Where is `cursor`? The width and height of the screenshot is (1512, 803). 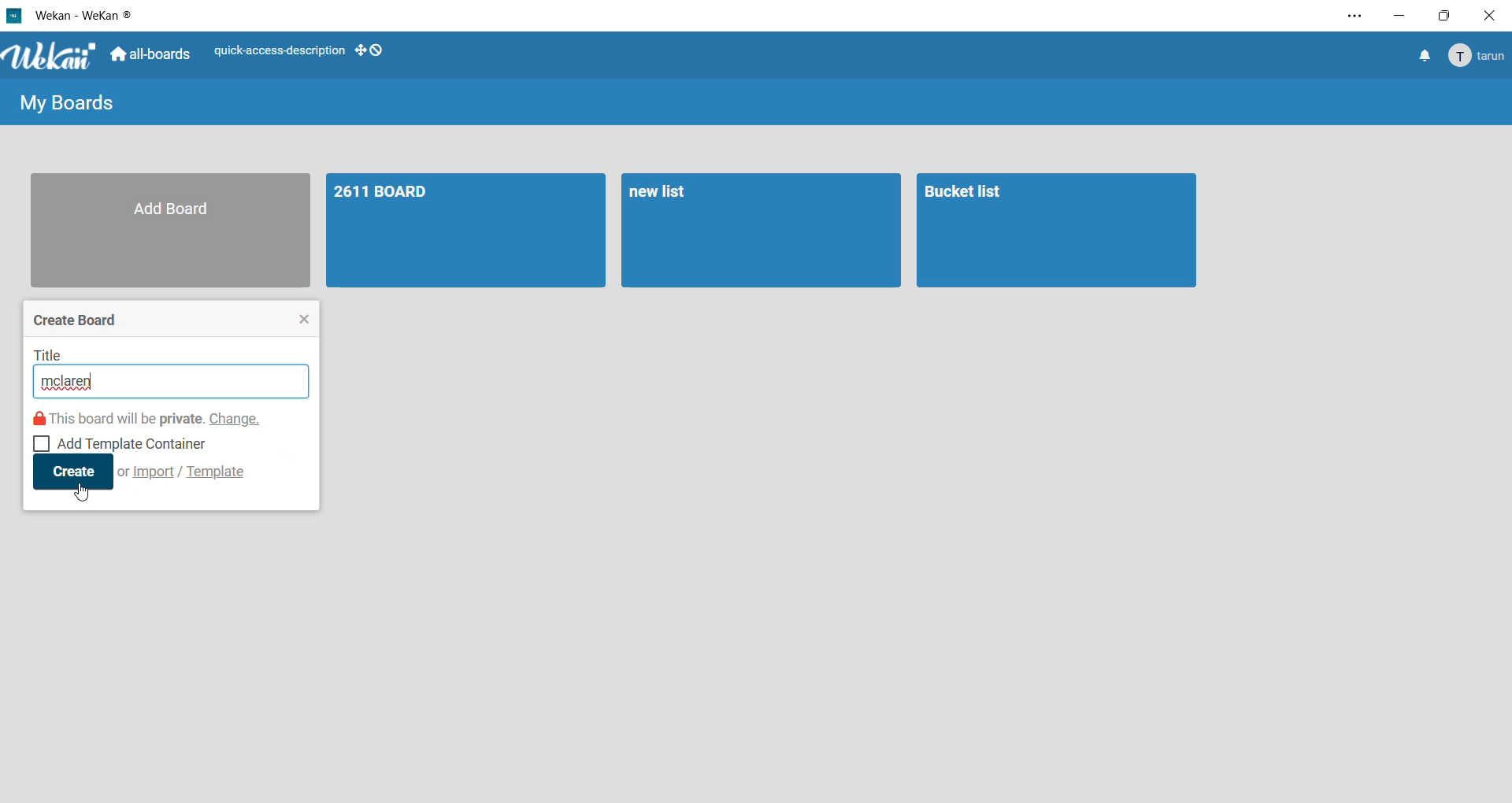 cursor is located at coordinates (85, 492).